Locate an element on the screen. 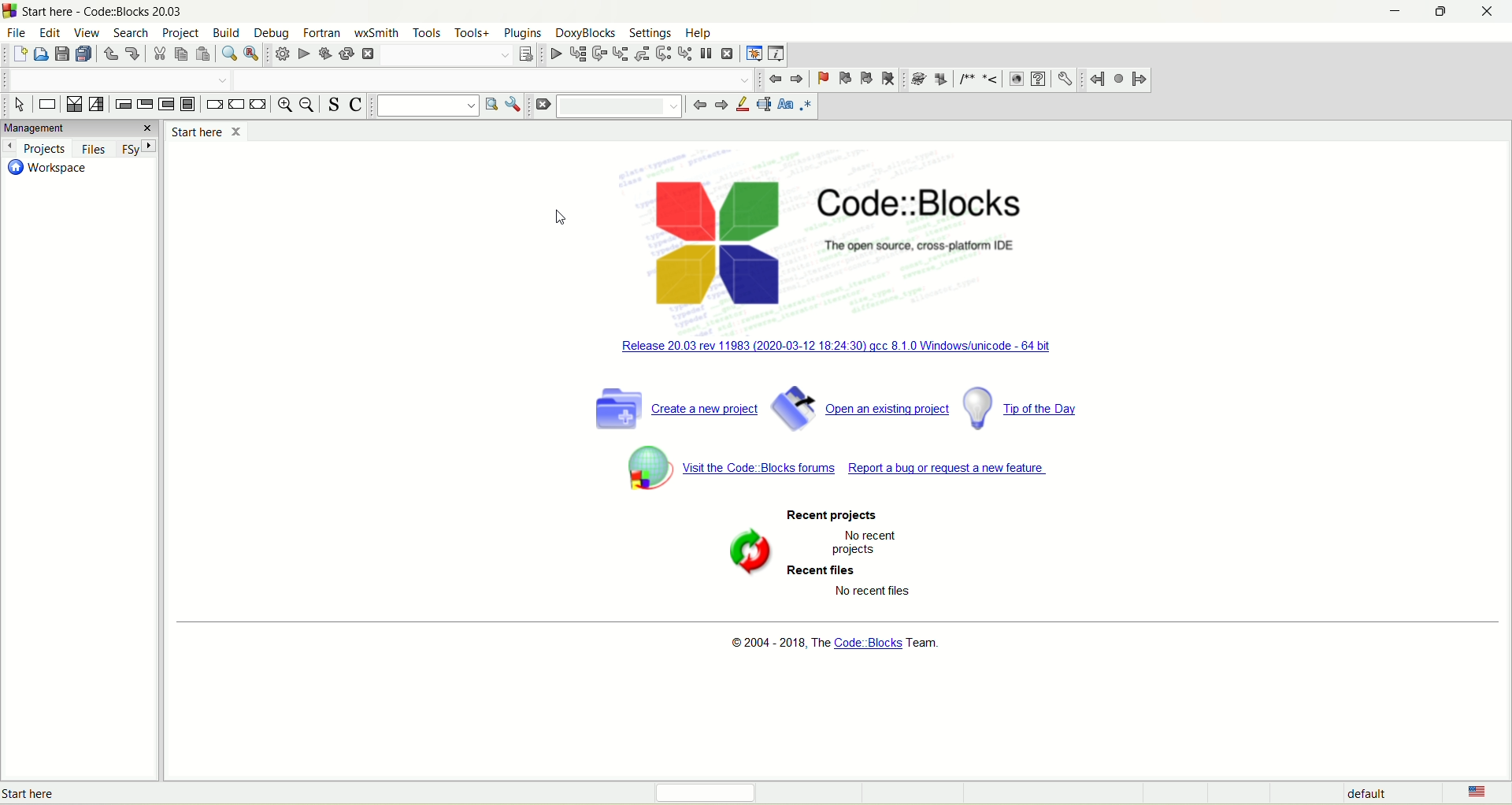  undo is located at coordinates (112, 54).